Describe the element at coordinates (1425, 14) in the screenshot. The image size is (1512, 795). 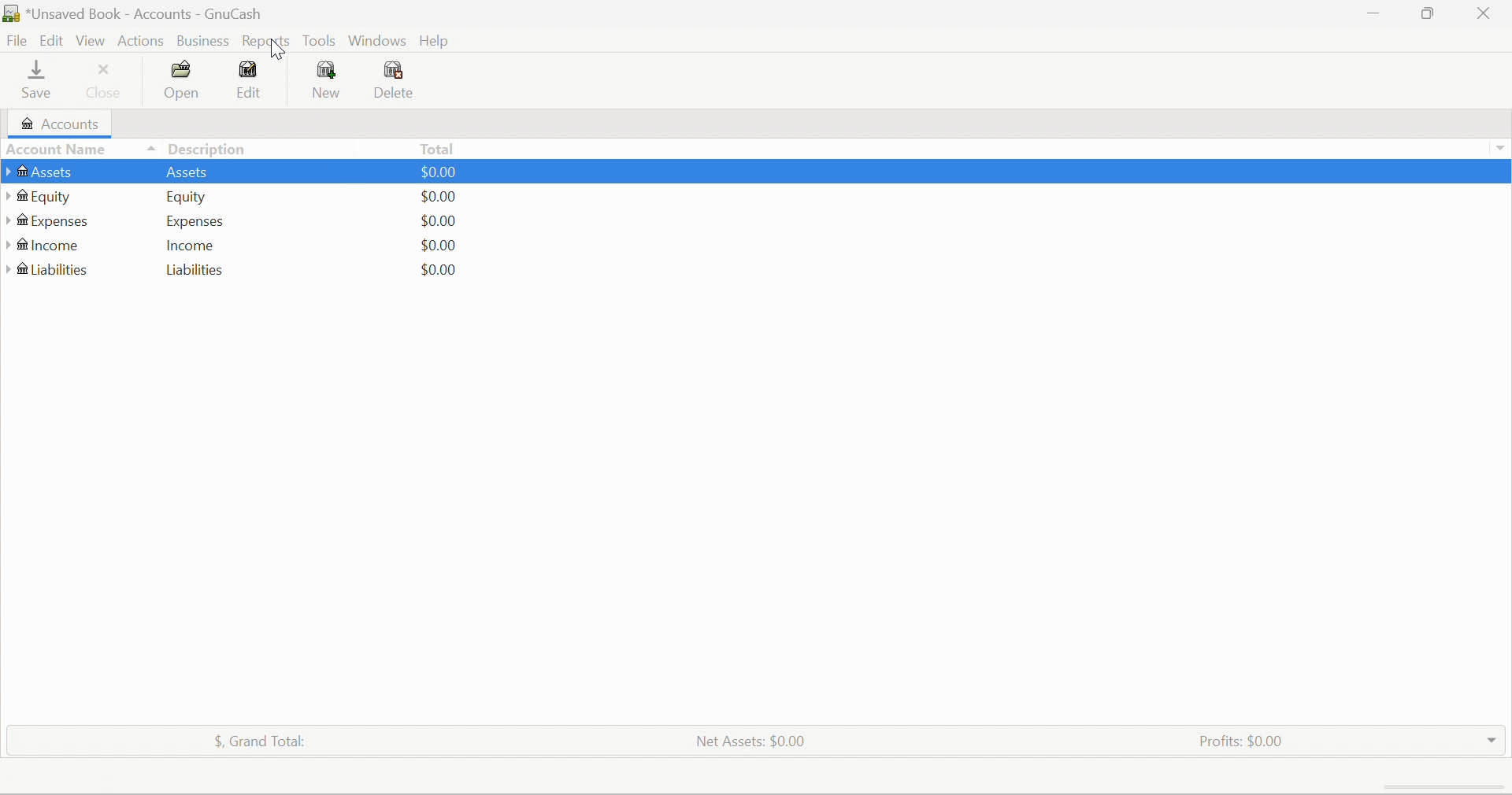
I see `Restore Down` at that location.